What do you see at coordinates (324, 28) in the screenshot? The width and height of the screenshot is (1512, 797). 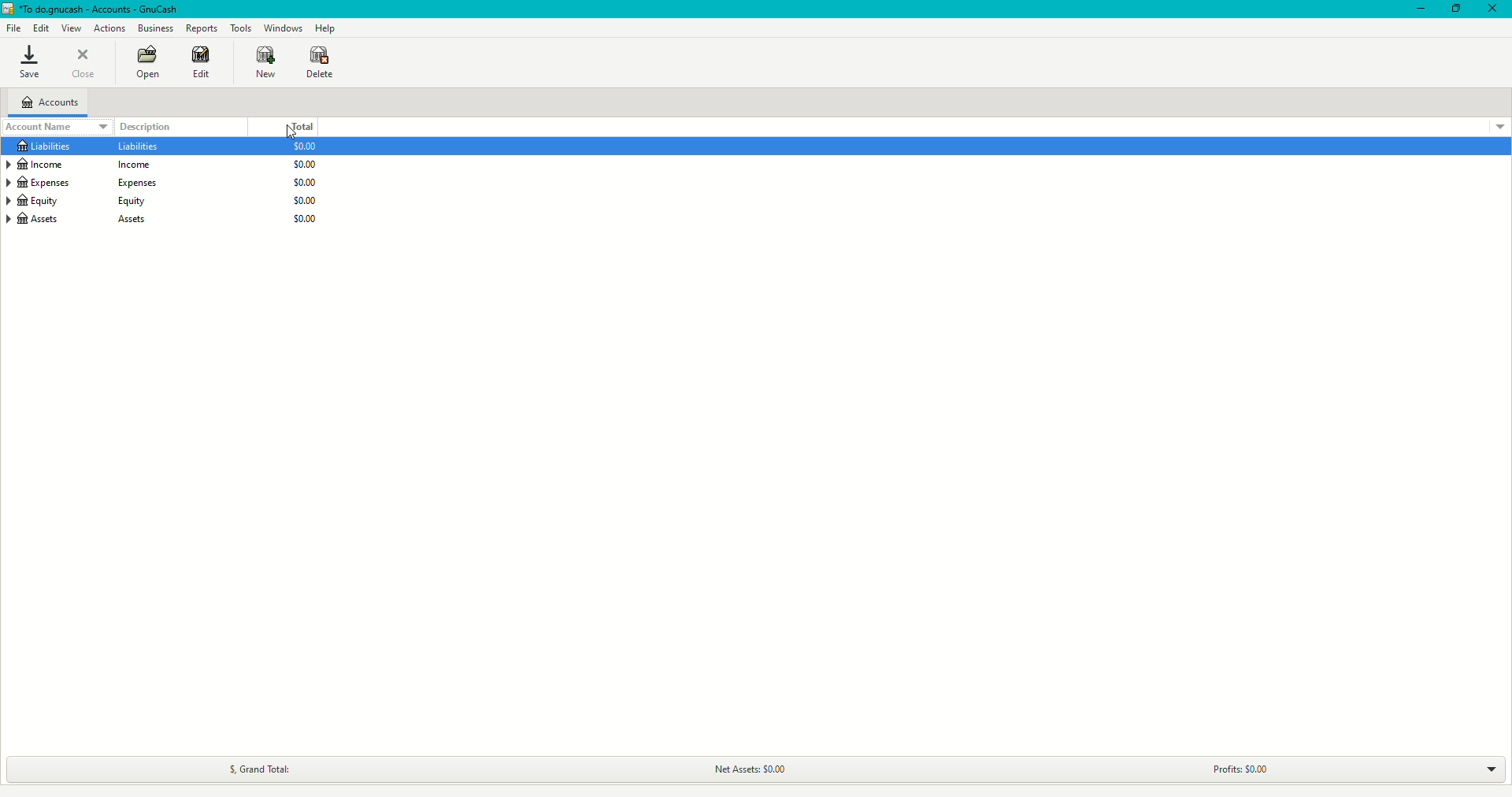 I see `Help` at bounding box center [324, 28].